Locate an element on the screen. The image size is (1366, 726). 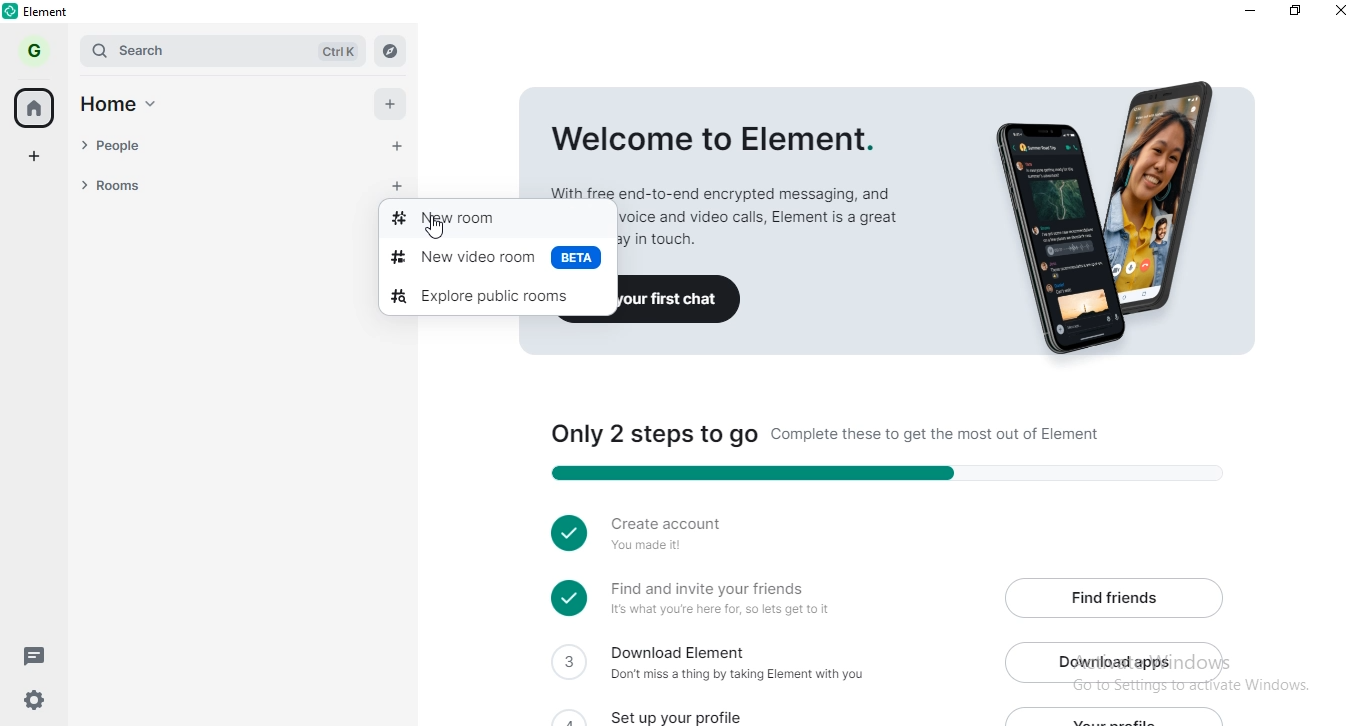
find friends is located at coordinates (1114, 596).